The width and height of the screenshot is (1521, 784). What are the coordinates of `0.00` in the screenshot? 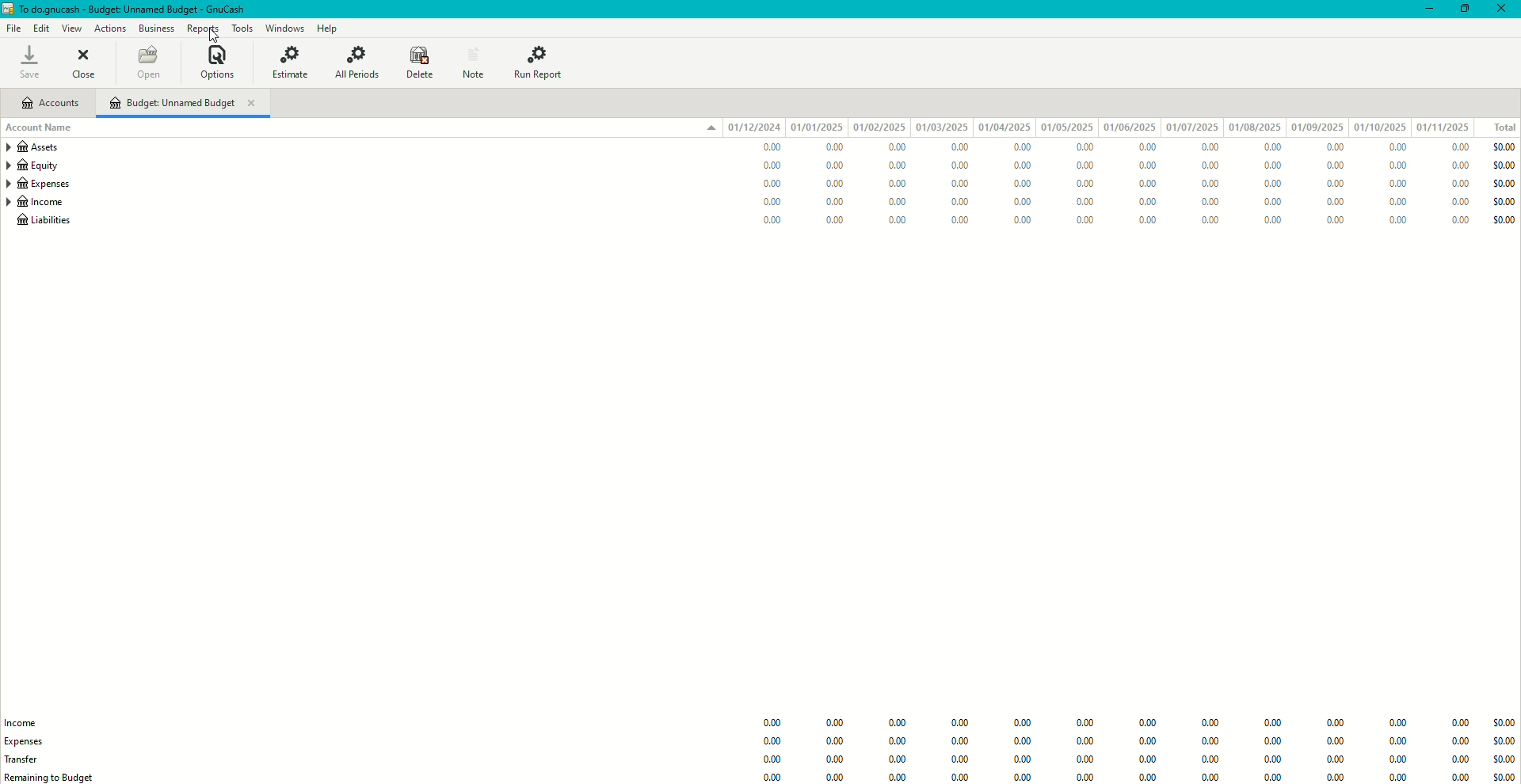 It's located at (834, 166).